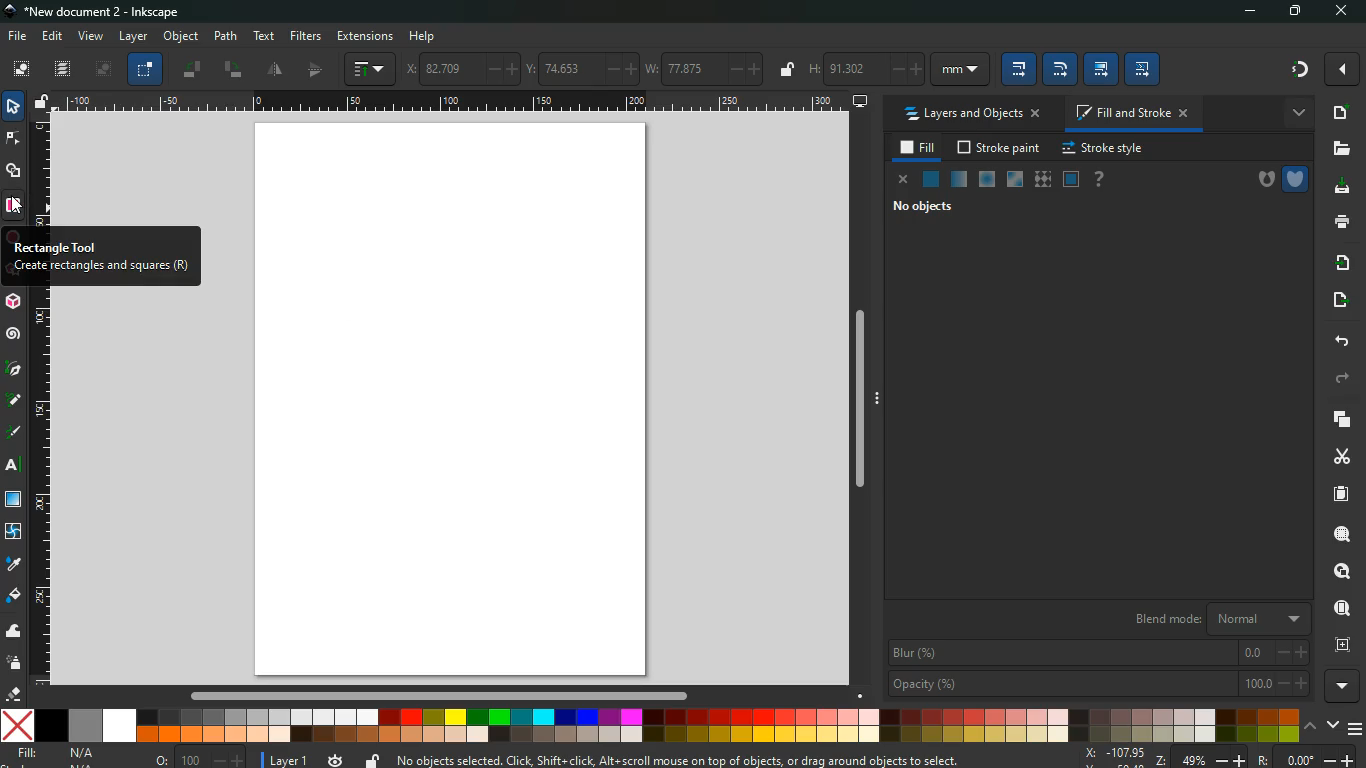 This screenshot has width=1366, height=768. I want to click on o, so click(195, 758).